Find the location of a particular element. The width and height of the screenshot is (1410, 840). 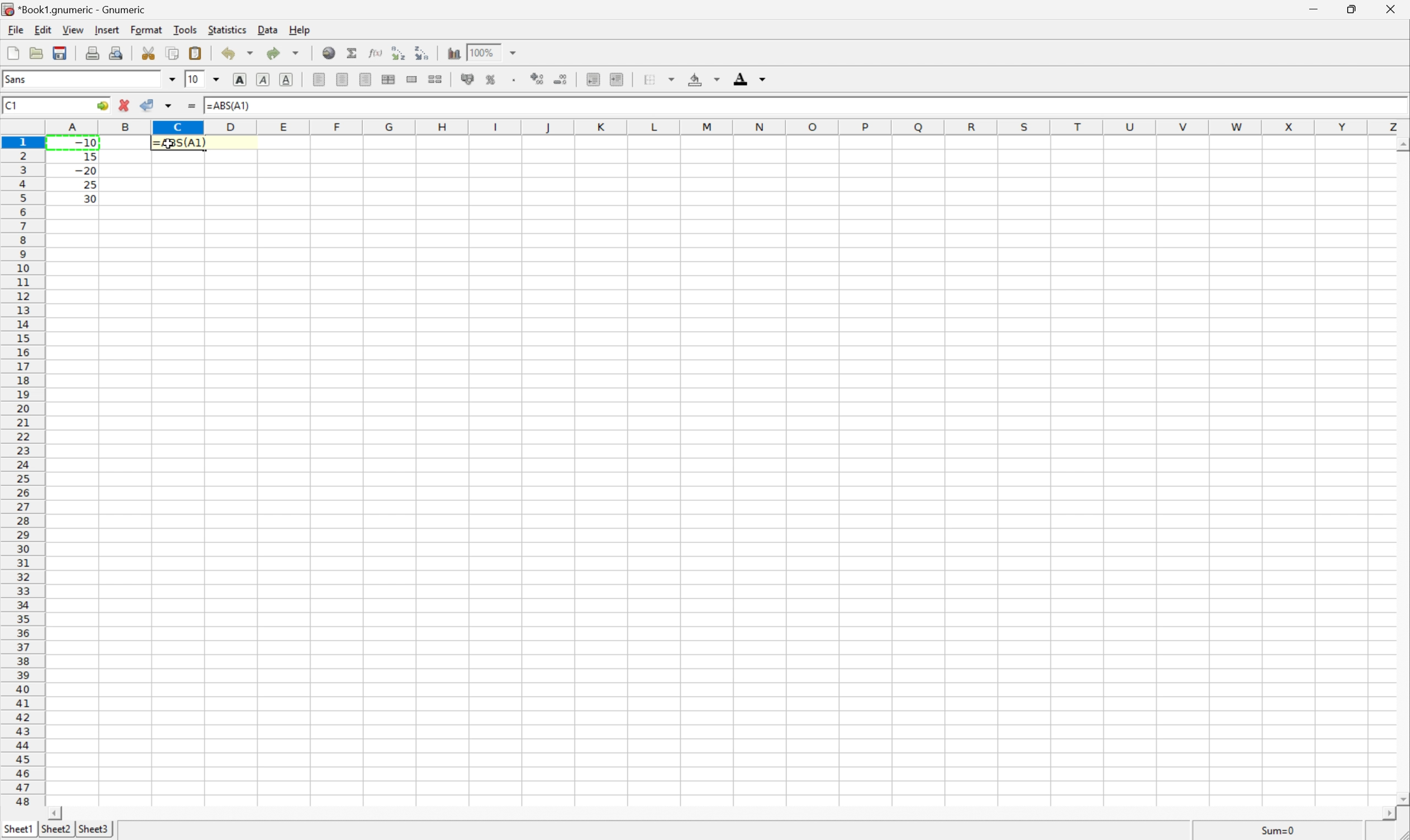

-20 is located at coordinates (86, 171).